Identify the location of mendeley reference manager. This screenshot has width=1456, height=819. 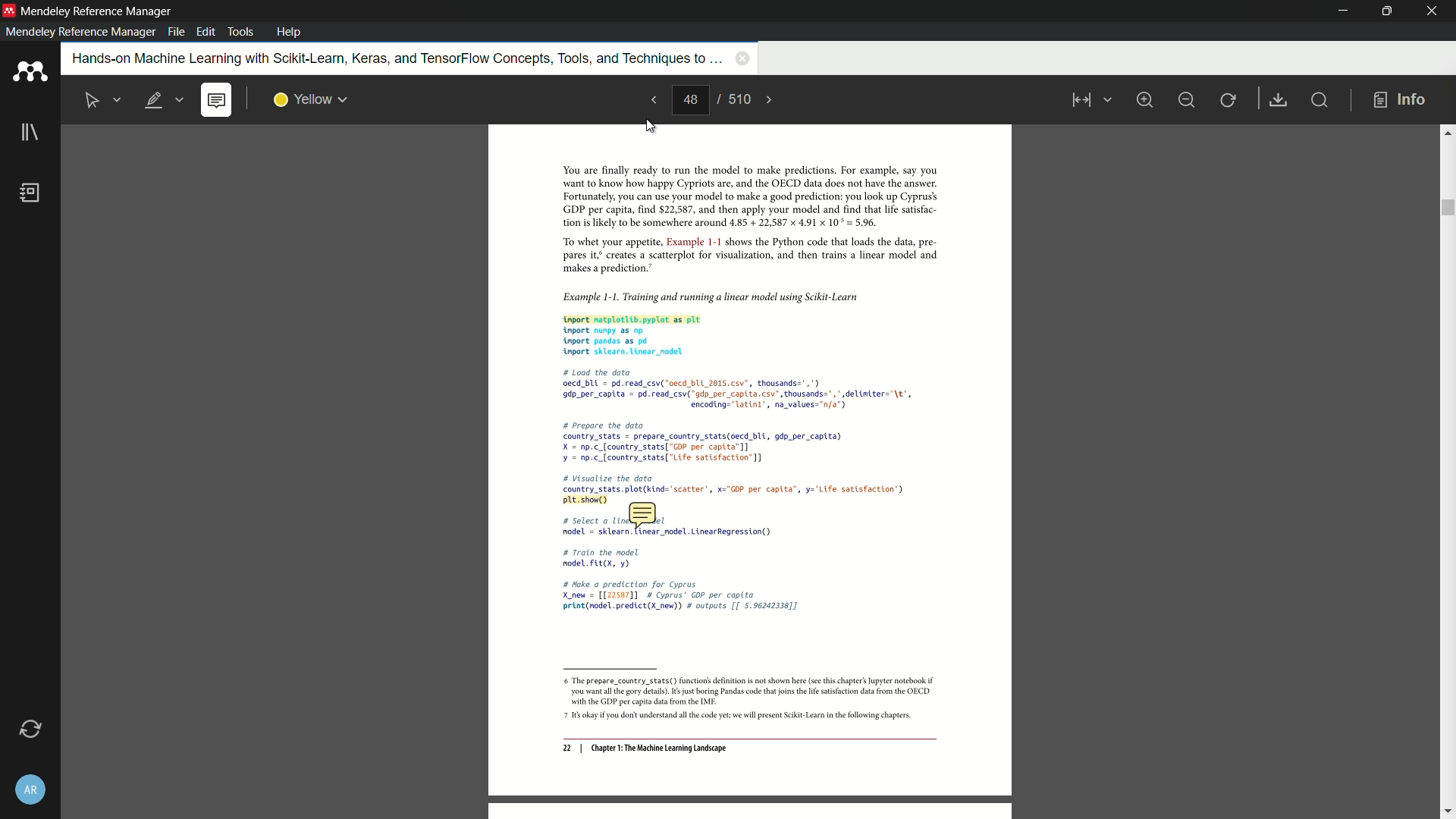
(80, 32).